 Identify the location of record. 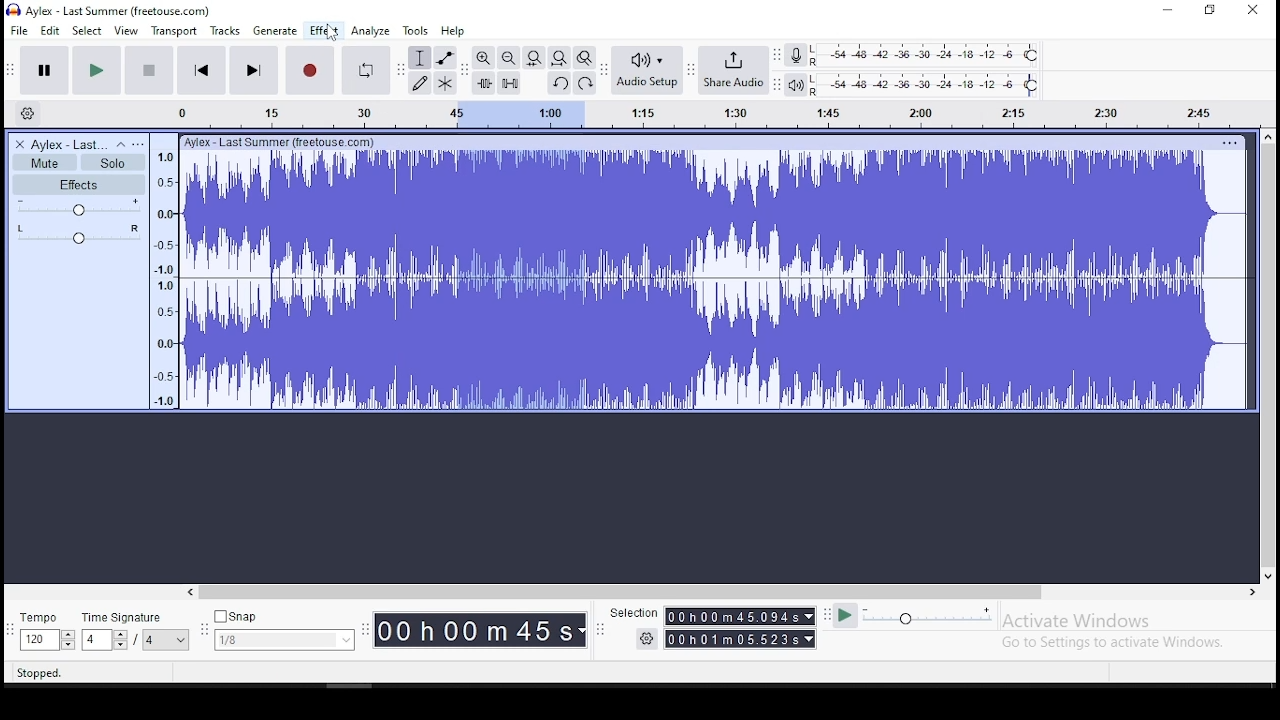
(312, 70).